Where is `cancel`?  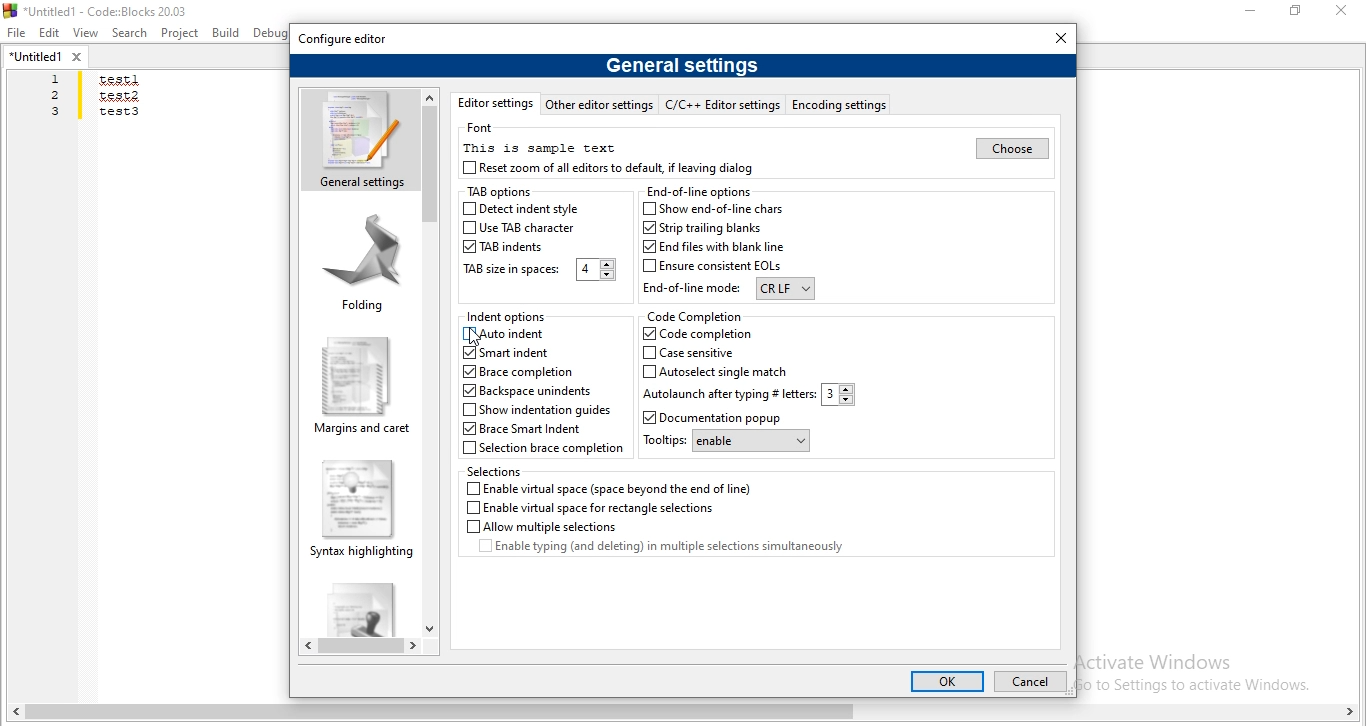
cancel is located at coordinates (1028, 683).